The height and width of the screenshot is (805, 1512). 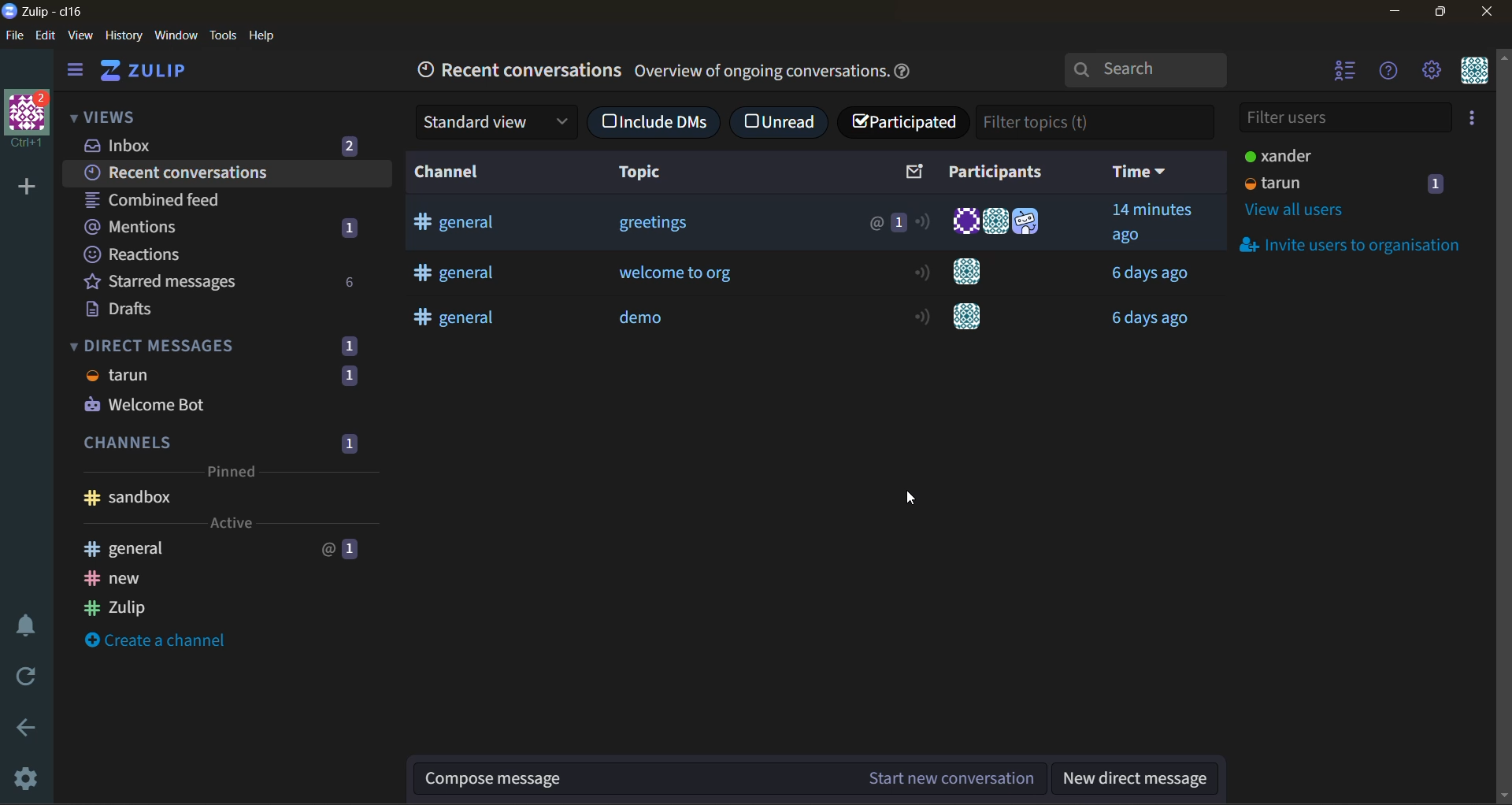 What do you see at coordinates (908, 74) in the screenshot?
I see `help` at bounding box center [908, 74].